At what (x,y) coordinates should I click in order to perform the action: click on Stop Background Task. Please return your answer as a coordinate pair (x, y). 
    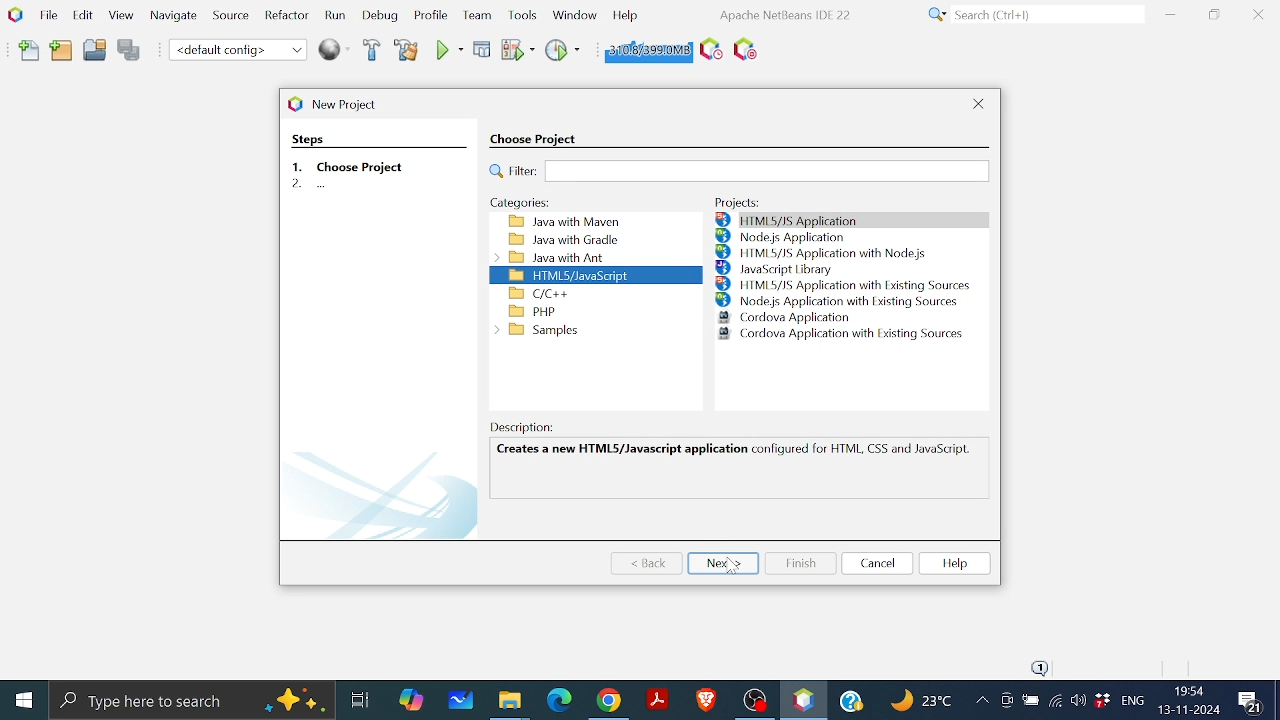
    Looking at the image, I should click on (744, 50).